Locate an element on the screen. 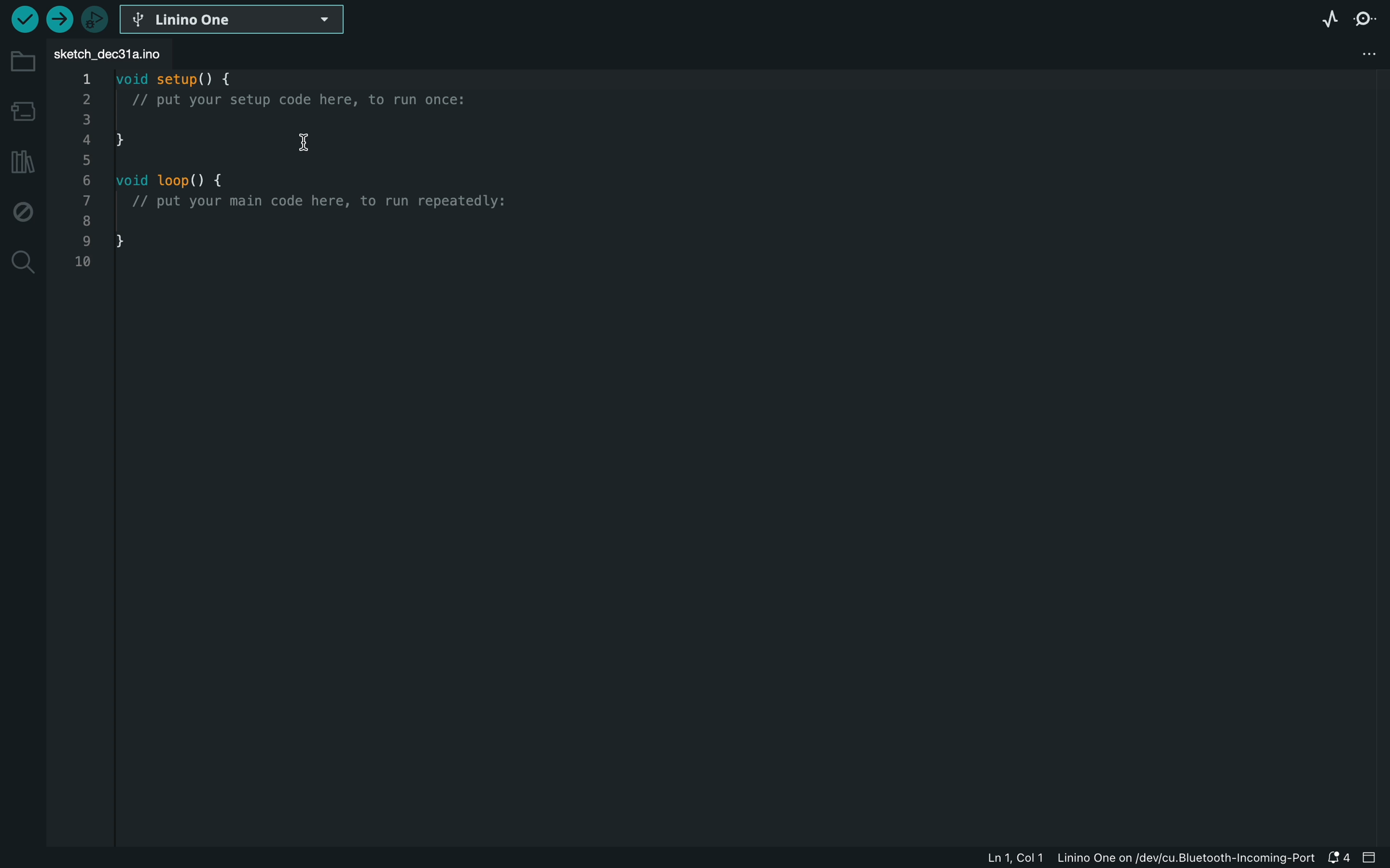  debugger is located at coordinates (98, 24).